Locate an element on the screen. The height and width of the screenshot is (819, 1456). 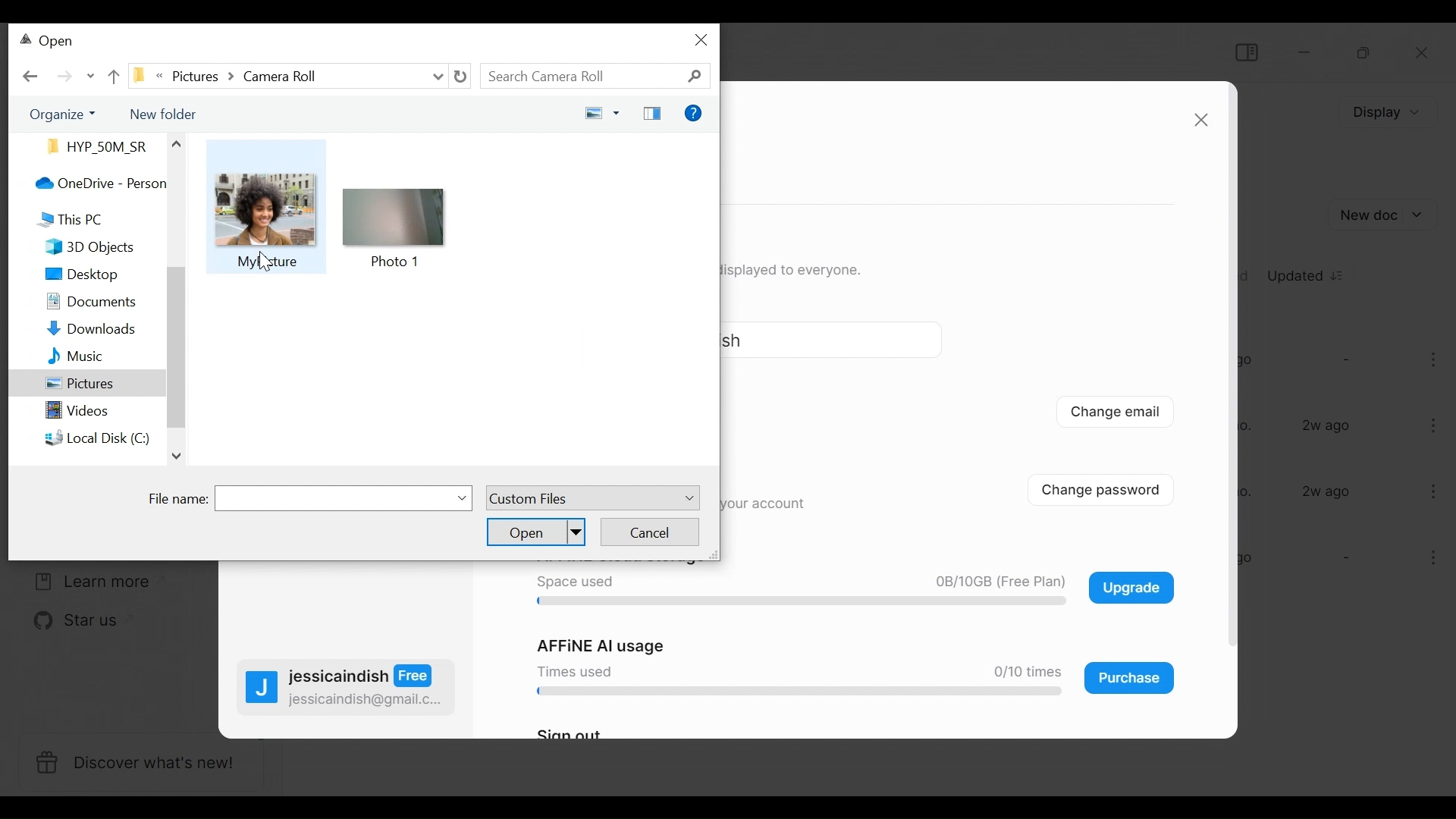
more options is located at coordinates (1431, 491).